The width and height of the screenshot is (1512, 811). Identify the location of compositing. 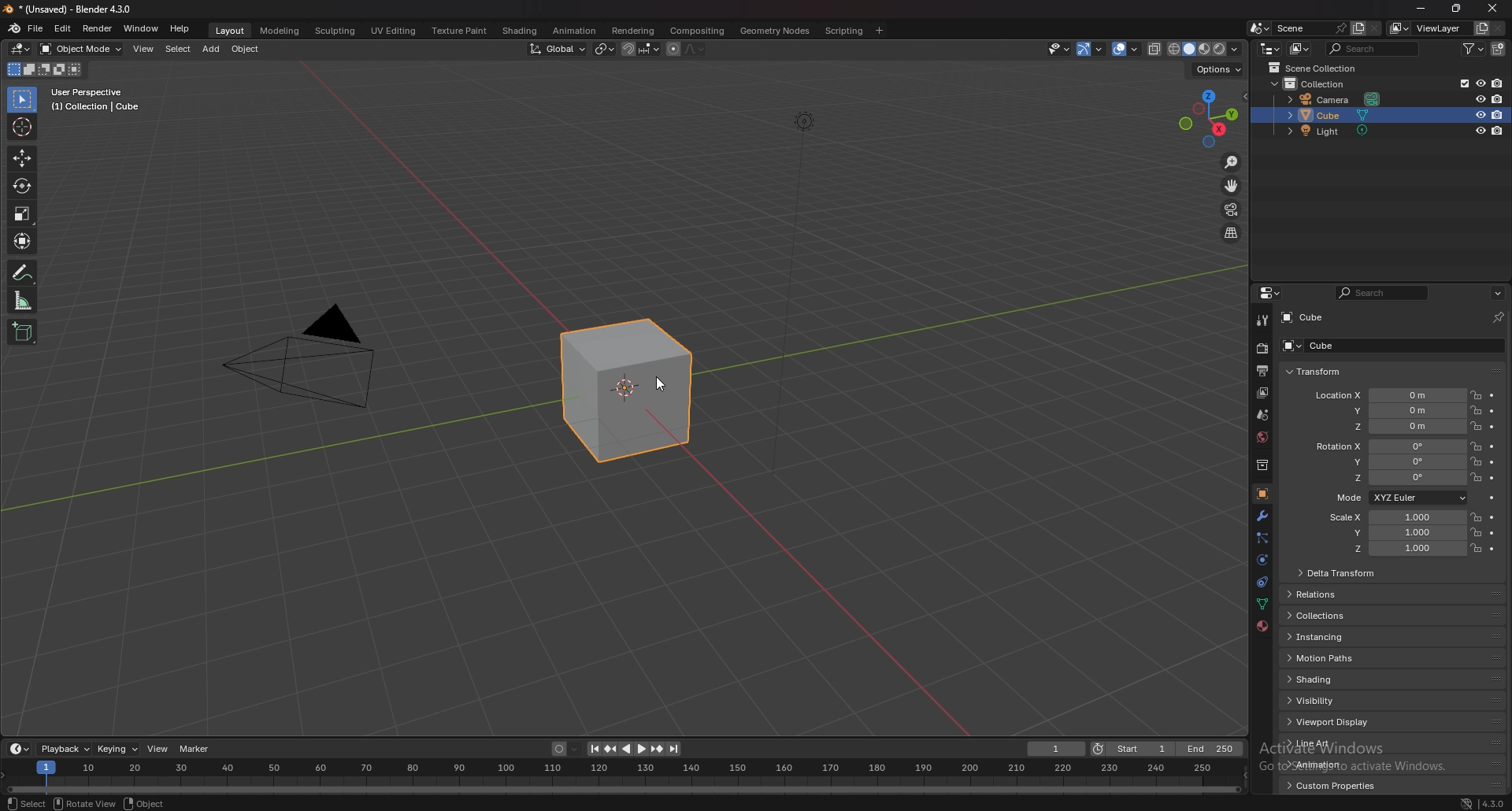
(700, 31).